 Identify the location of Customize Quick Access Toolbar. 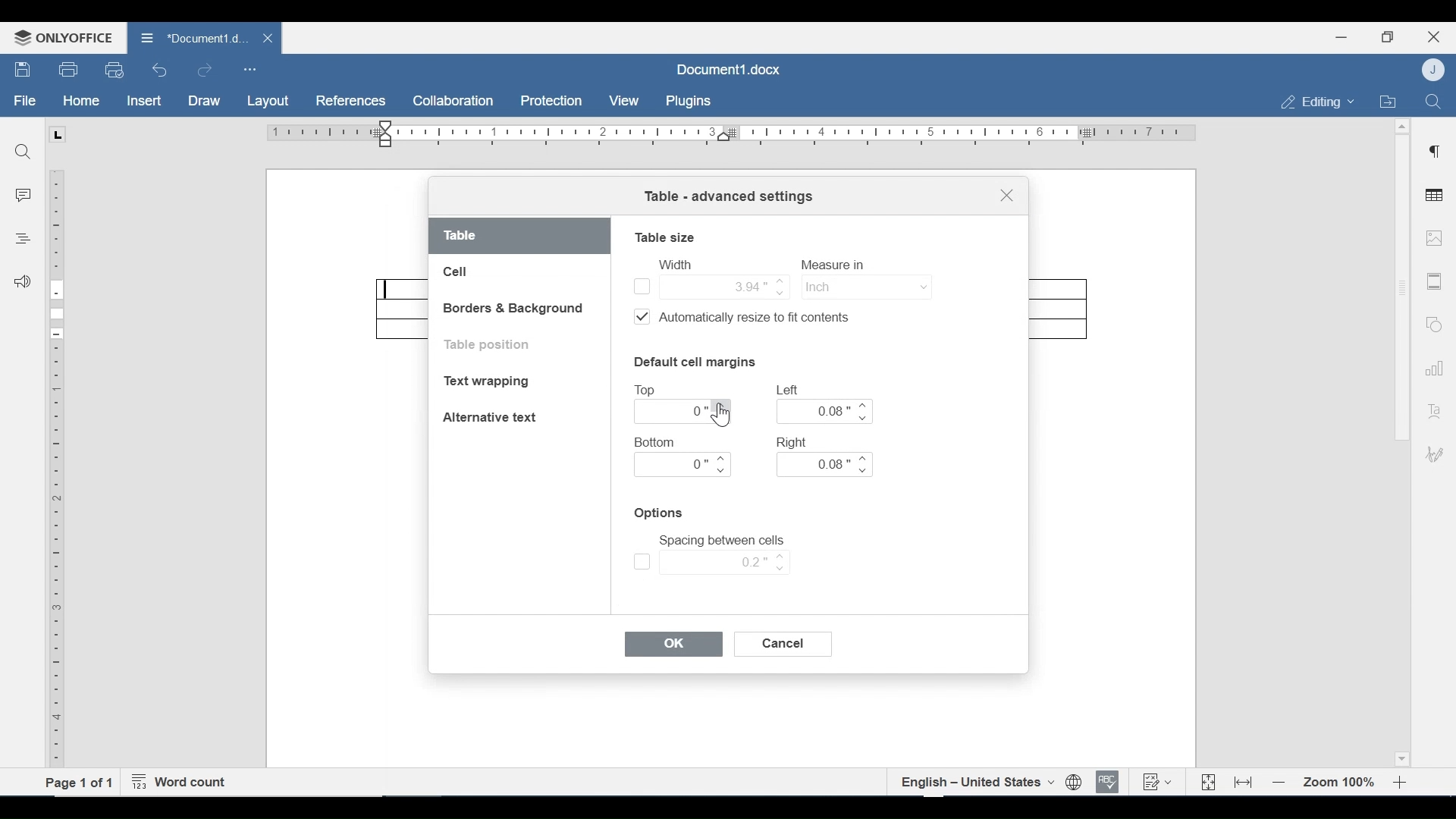
(249, 69).